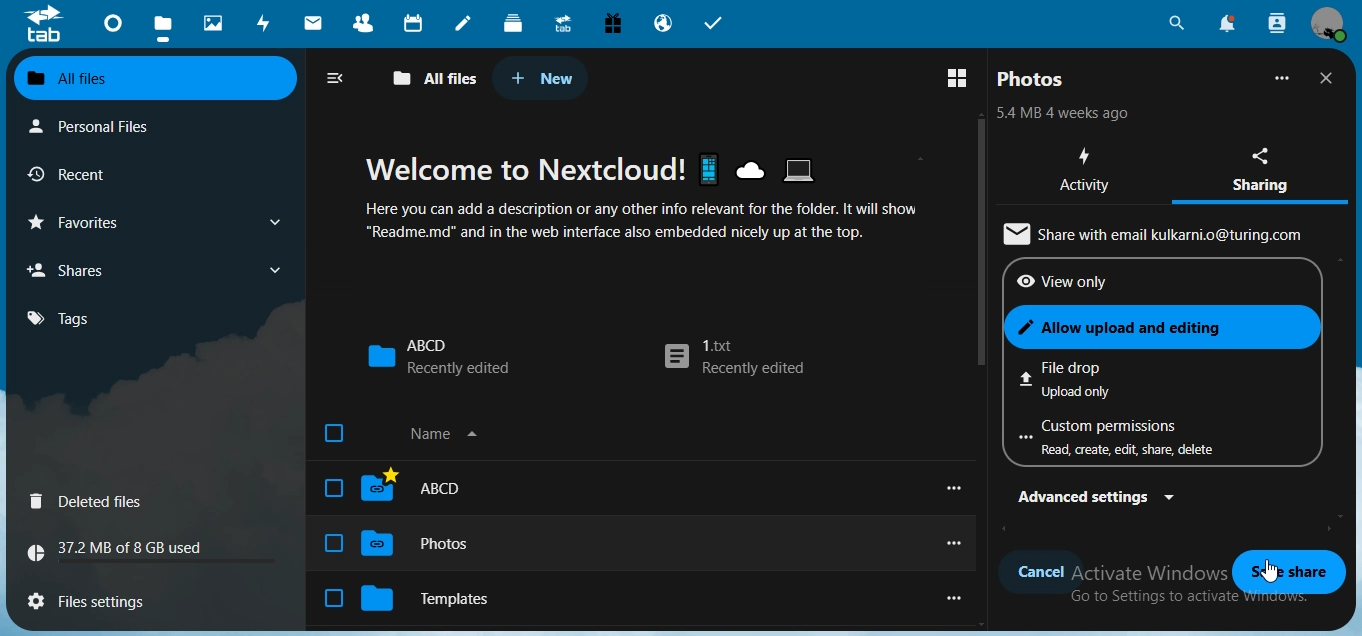  Describe the element at coordinates (715, 24) in the screenshot. I see `tasks` at that location.